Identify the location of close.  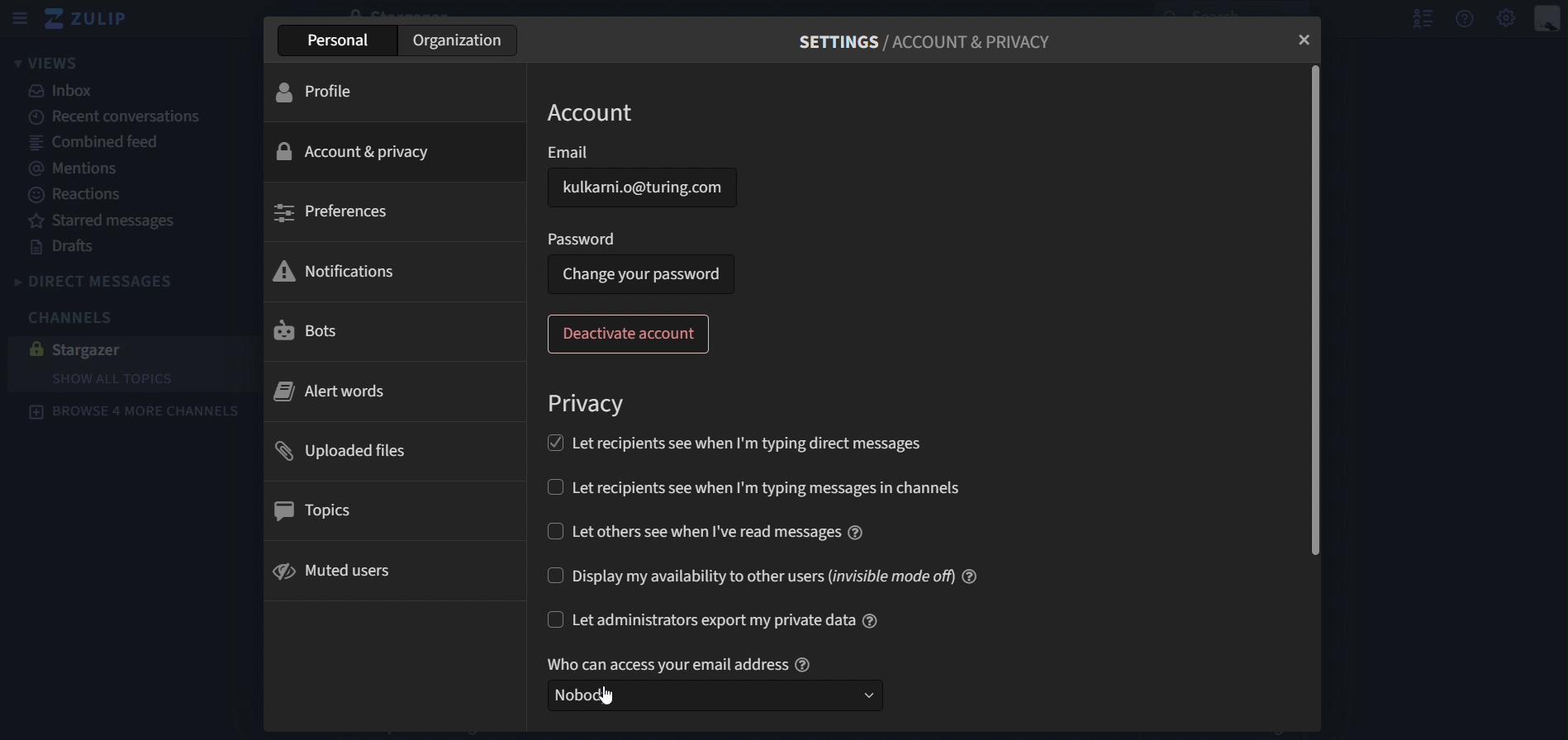
(1305, 39).